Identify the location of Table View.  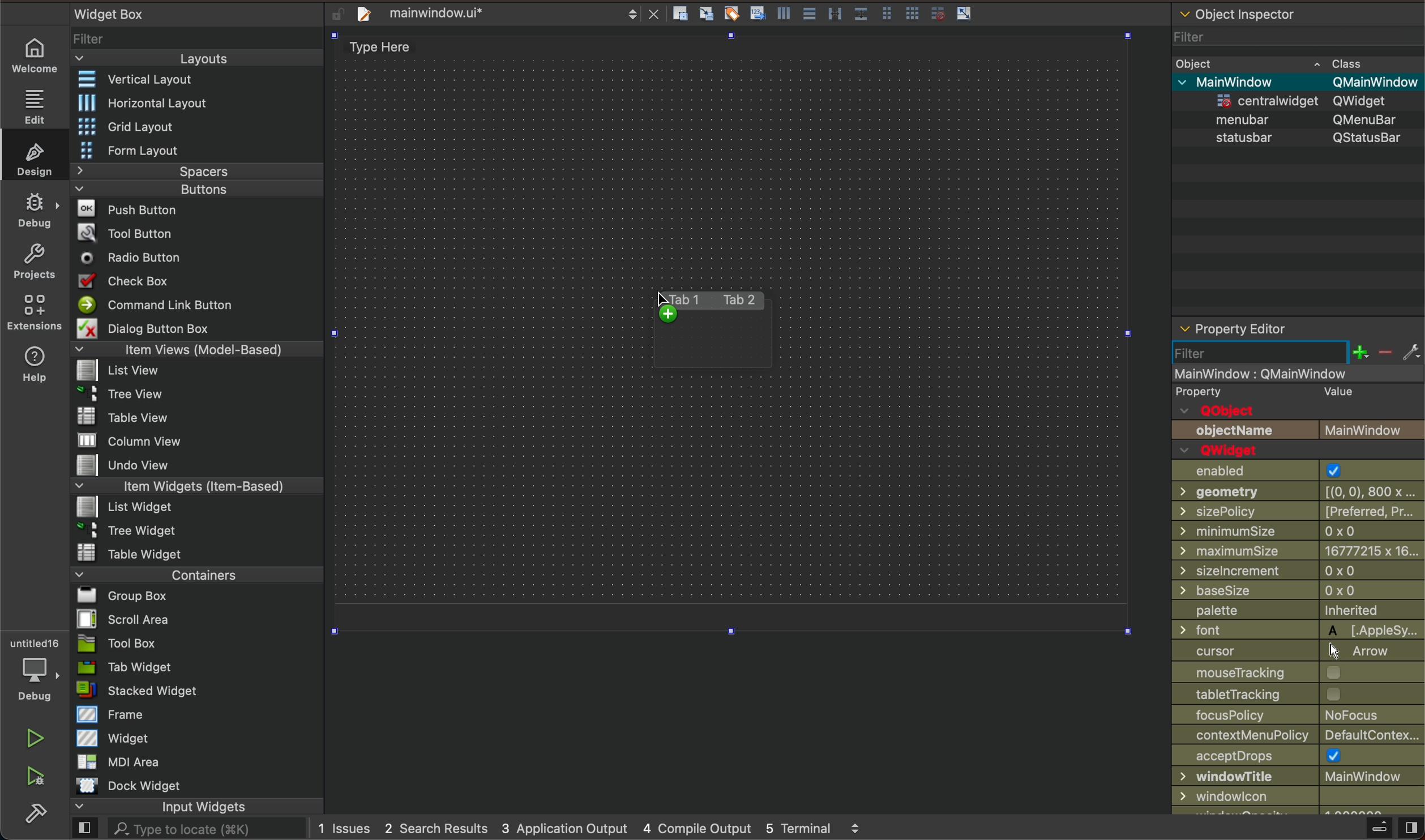
(109, 413).